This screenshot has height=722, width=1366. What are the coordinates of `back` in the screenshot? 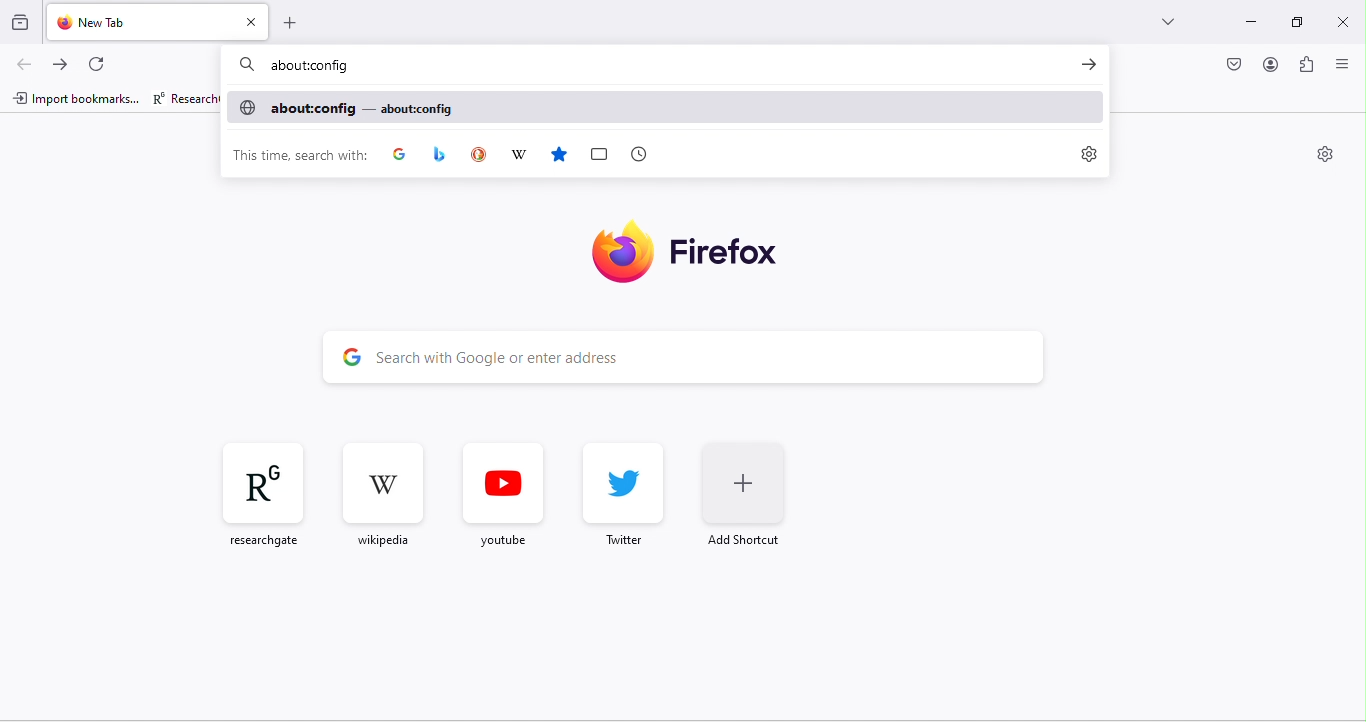 It's located at (20, 64).